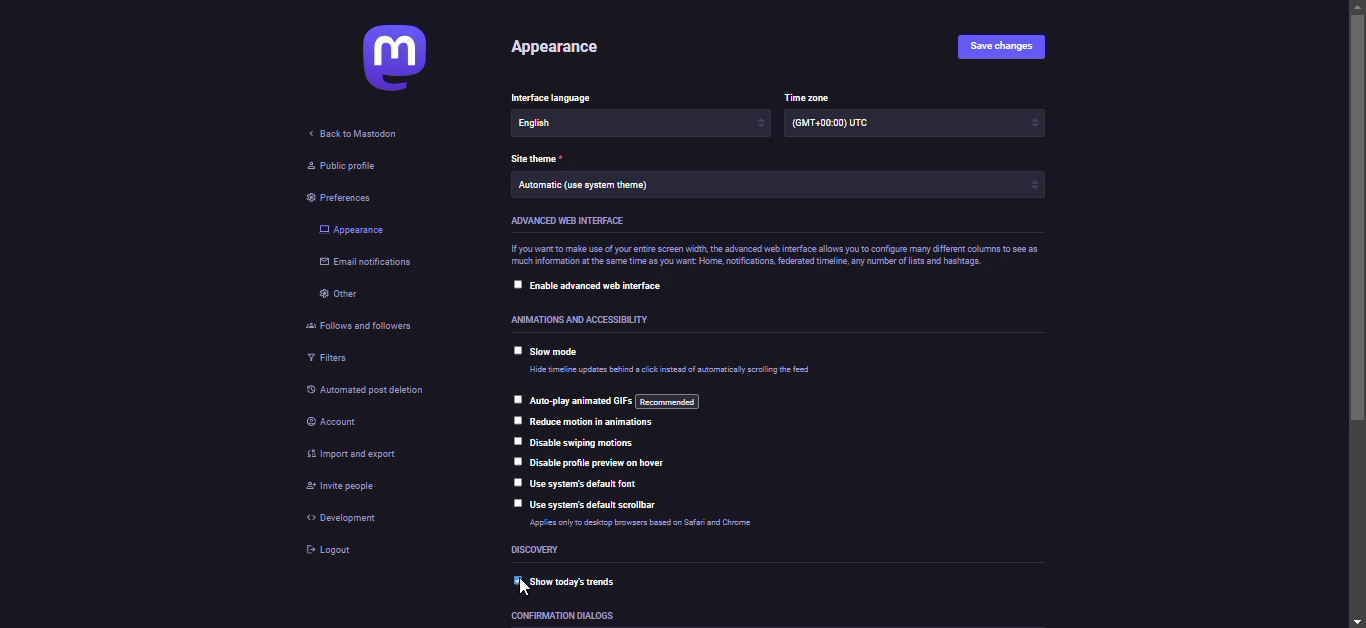 The image size is (1366, 628). Describe the element at coordinates (515, 504) in the screenshot. I see `click to select` at that location.